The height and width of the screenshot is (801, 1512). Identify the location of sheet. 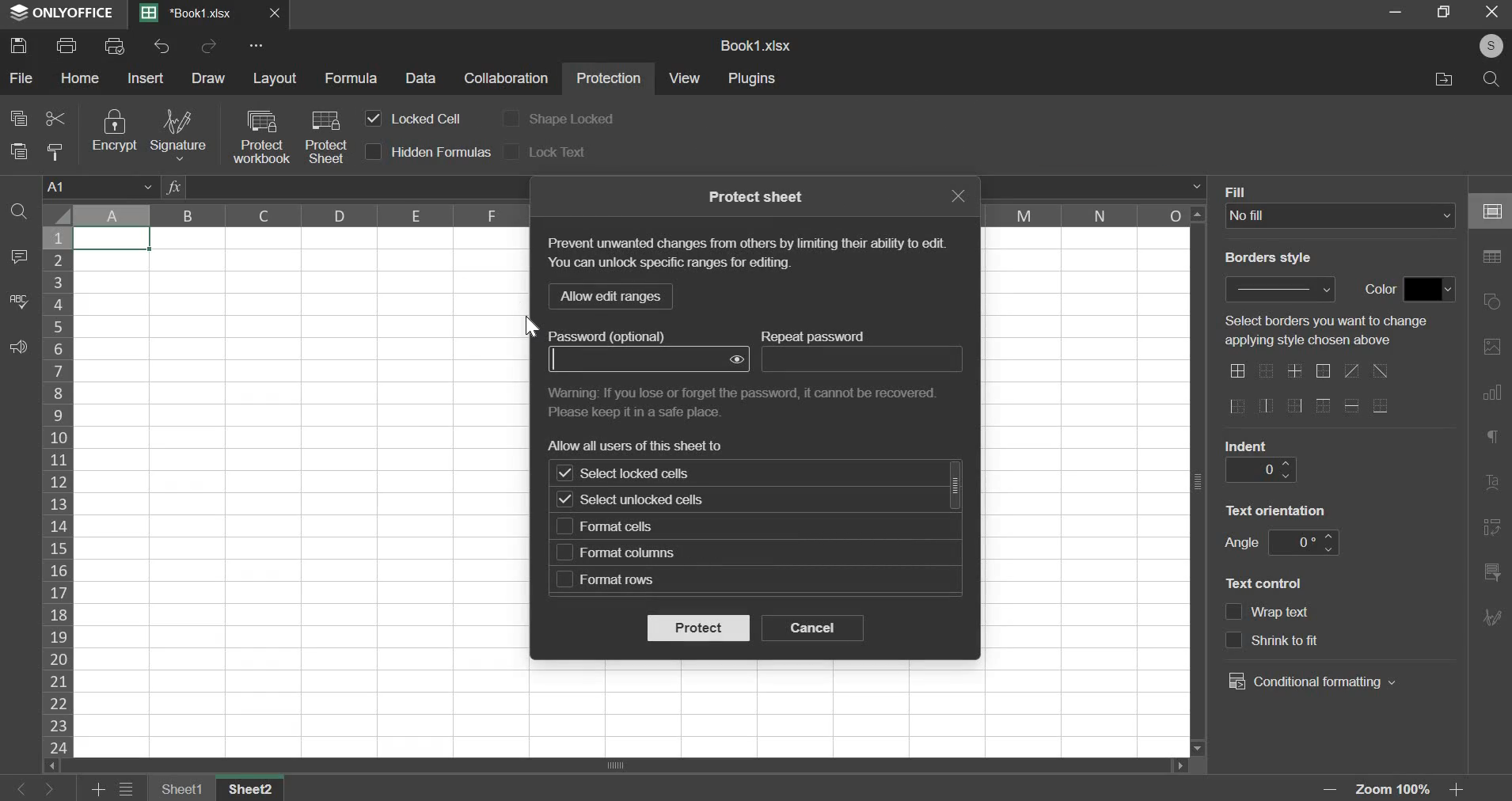
(184, 788).